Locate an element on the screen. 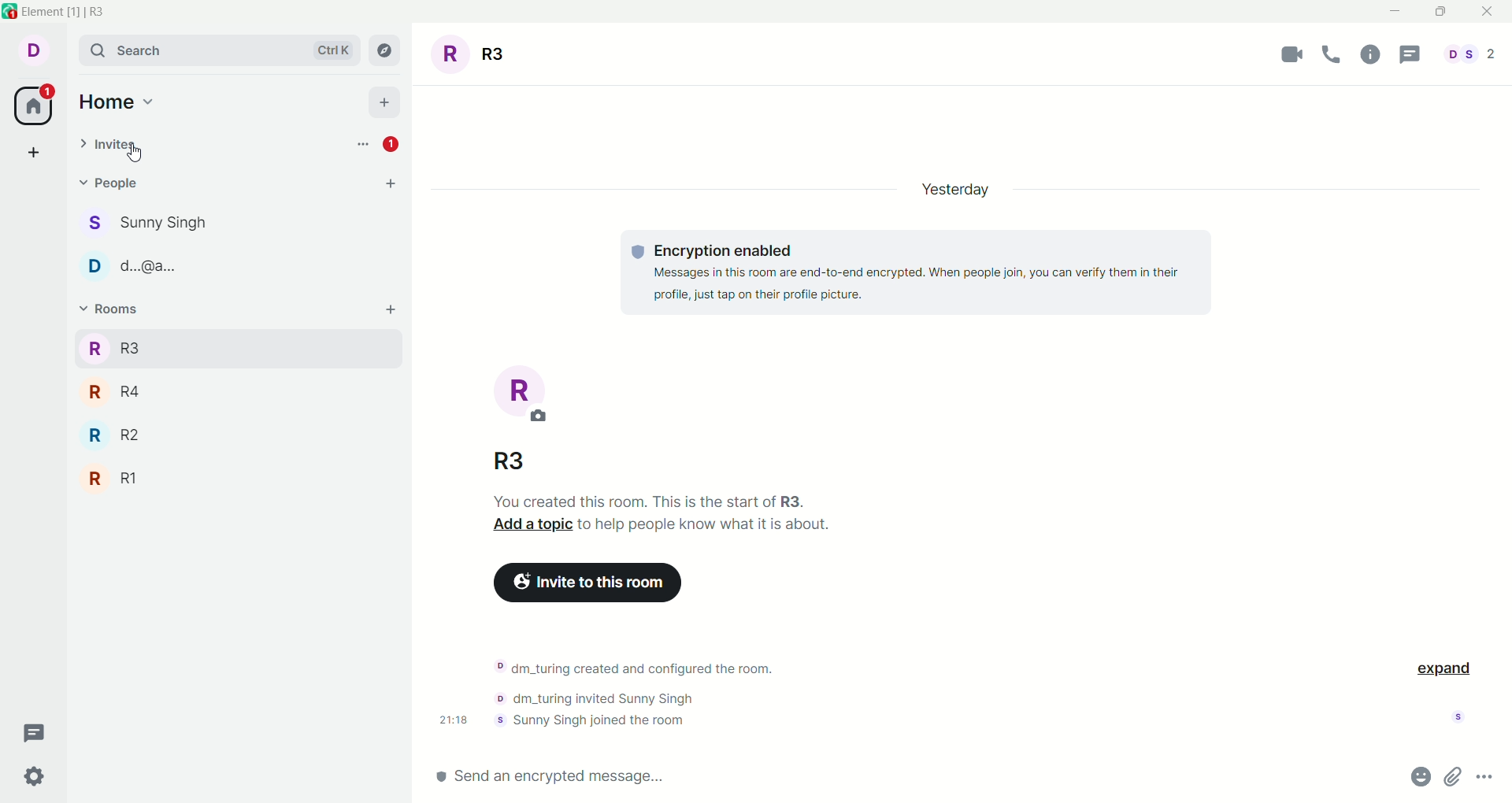  text is located at coordinates (915, 272).